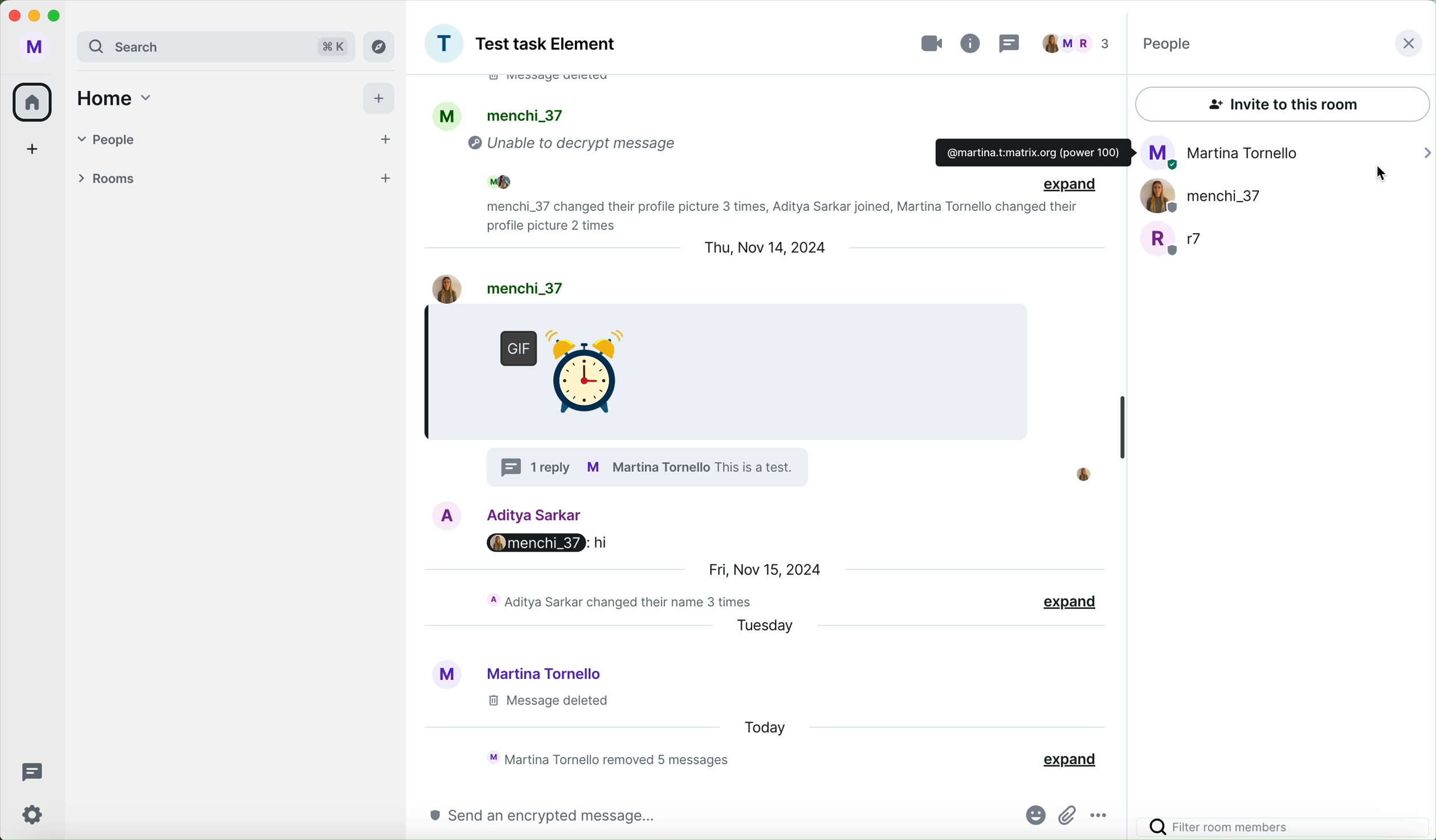  Describe the element at coordinates (1286, 827) in the screenshot. I see `filter` at that location.